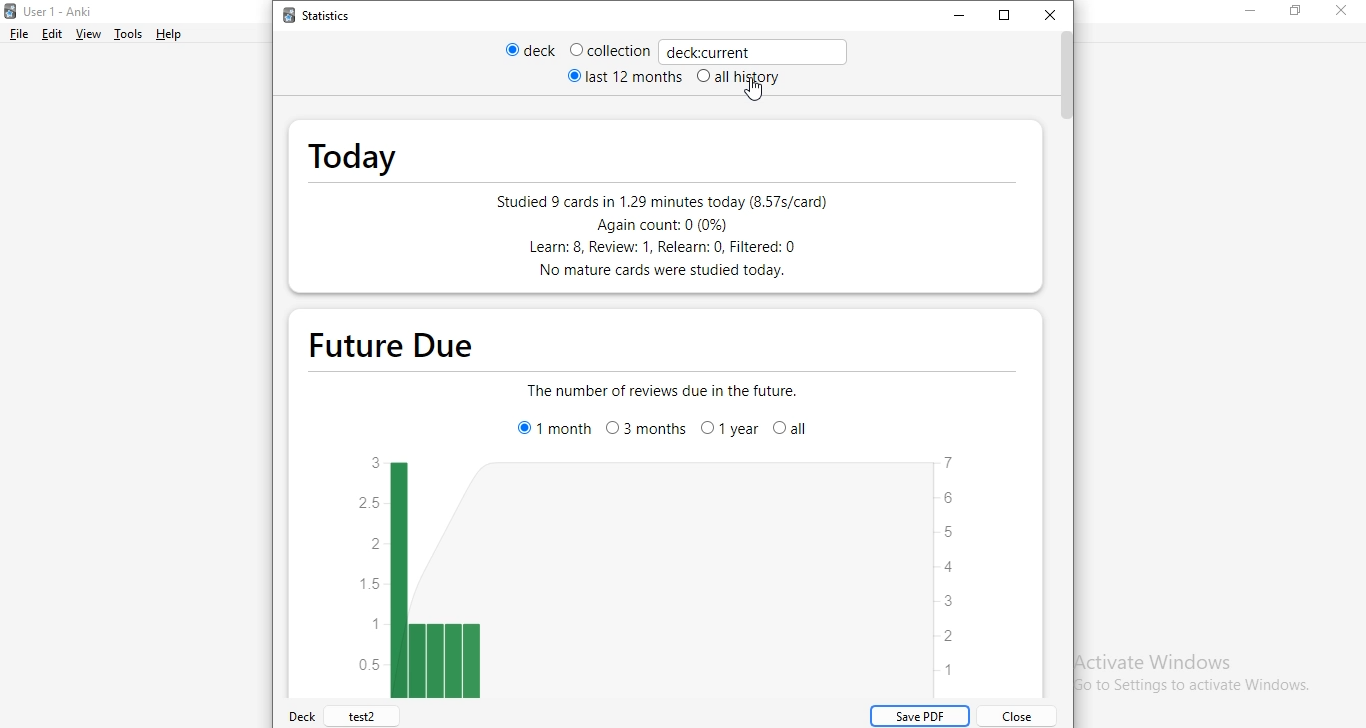 This screenshot has height=728, width=1366. I want to click on cursor, so click(759, 92).